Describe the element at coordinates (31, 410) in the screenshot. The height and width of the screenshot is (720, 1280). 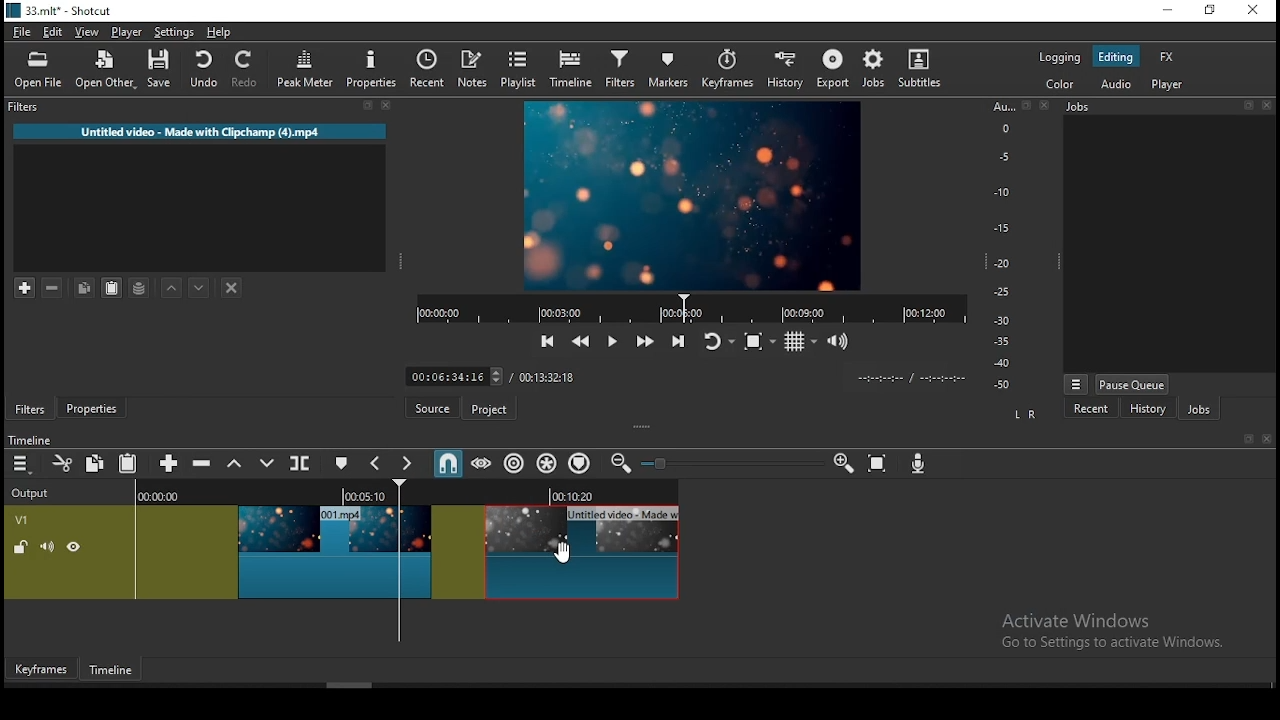
I see `filters` at that location.